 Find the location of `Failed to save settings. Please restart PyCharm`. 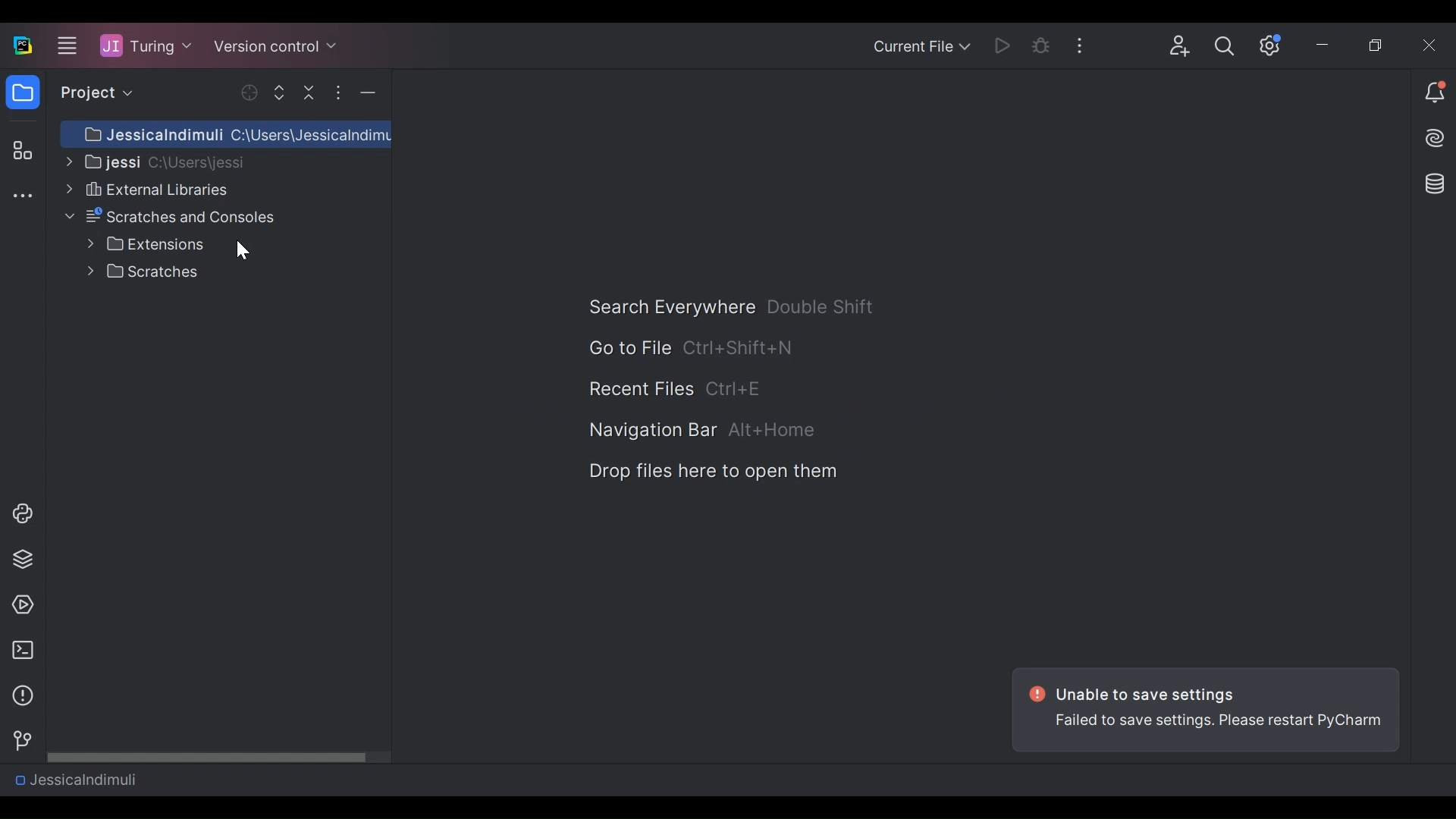

Failed to save settings. Please restart PyCharm is located at coordinates (1221, 728).